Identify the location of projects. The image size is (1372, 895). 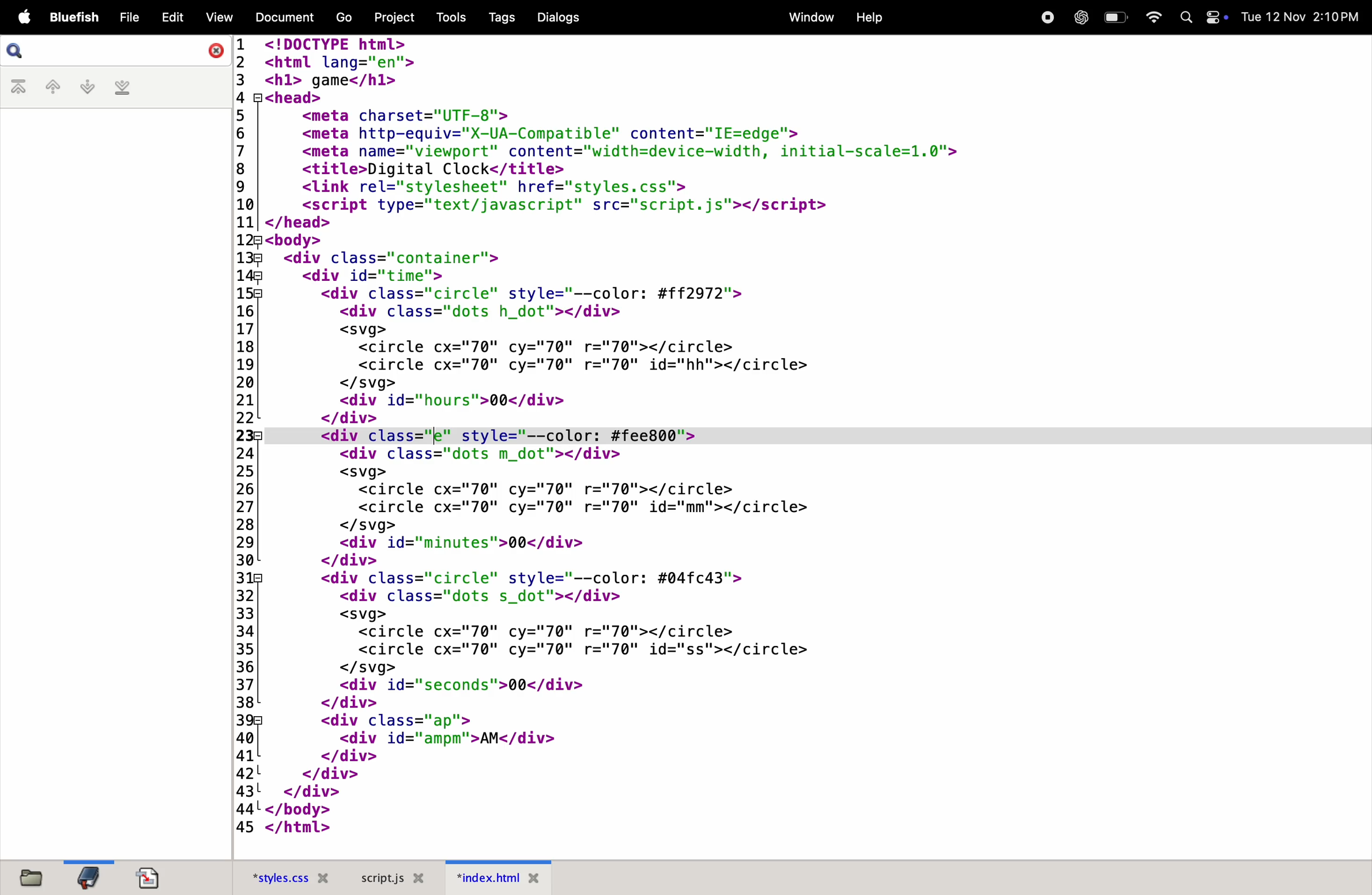
(390, 17).